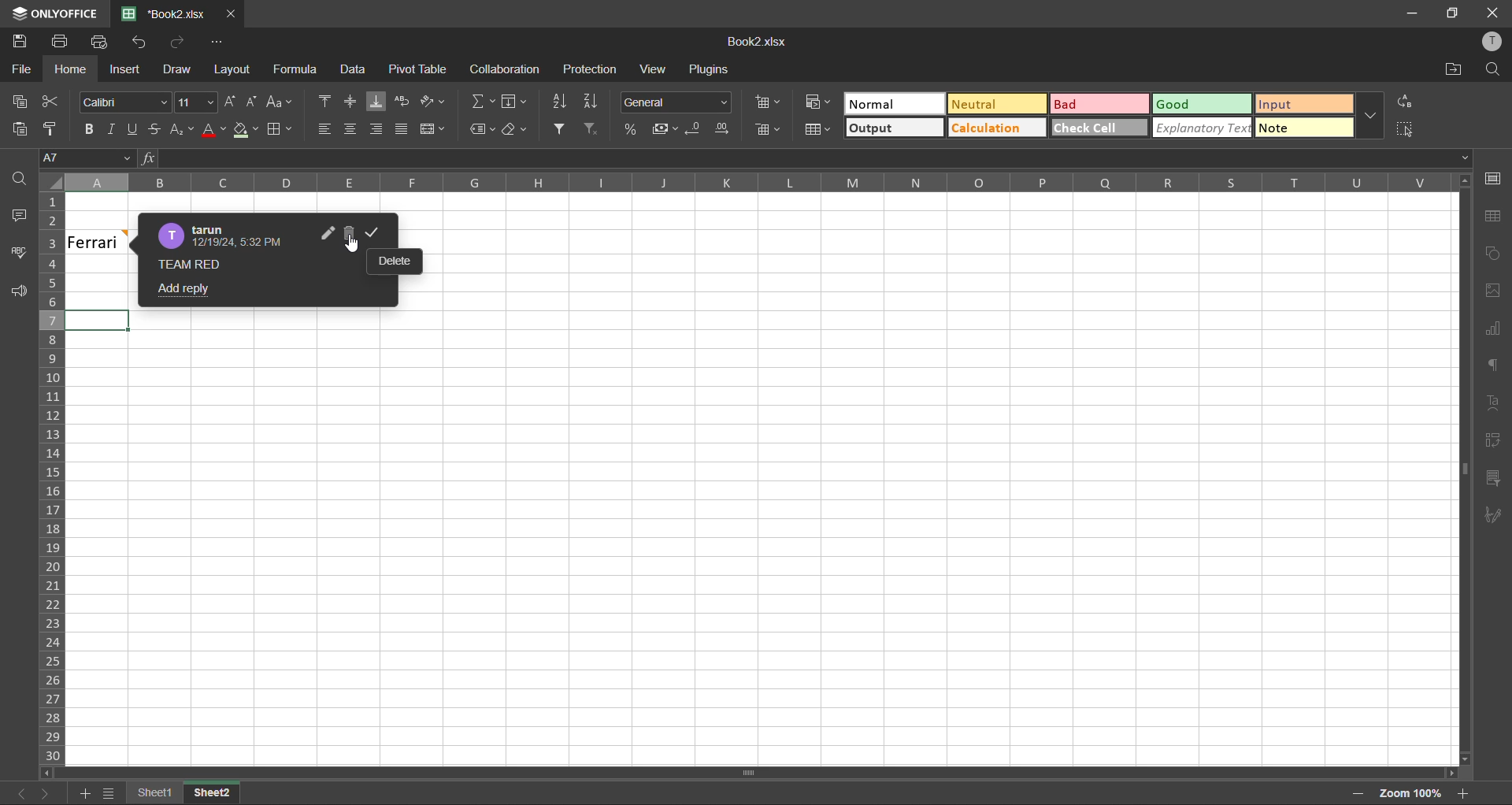 Image resolution: width=1512 pixels, height=805 pixels. What do you see at coordinates (764, 43) in the screenshot?
I see `Book2.xlsx` at bounding box center [764, 43].